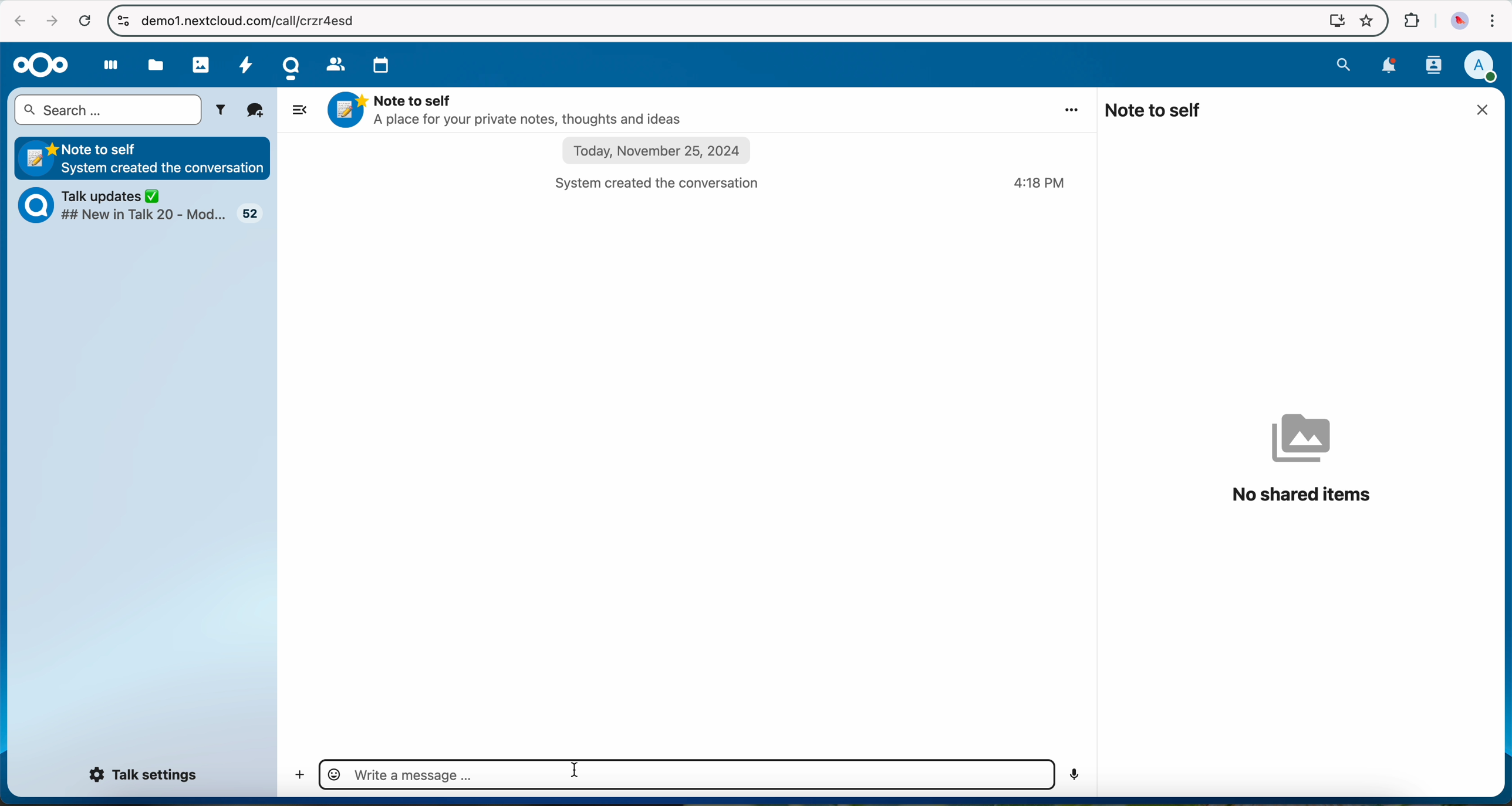 The image size is (1512, 806). What do you see at coordinates (290, 67) in the screenshot?
I see `Talk` at bounding box center [290, 67].